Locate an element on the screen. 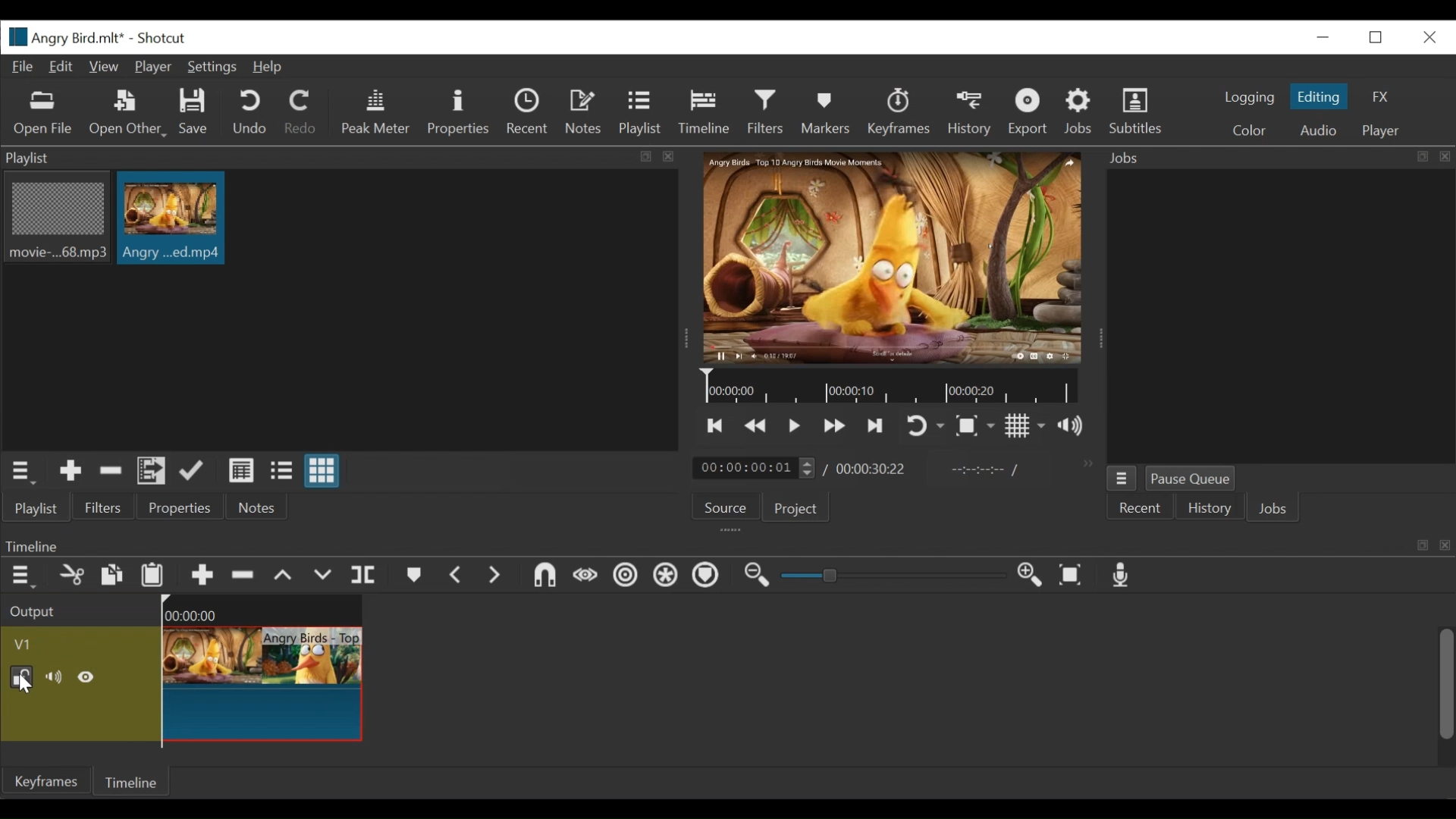 This screenshot has width=1456, height=819. Keyframe is located at coordinates (42, 780).